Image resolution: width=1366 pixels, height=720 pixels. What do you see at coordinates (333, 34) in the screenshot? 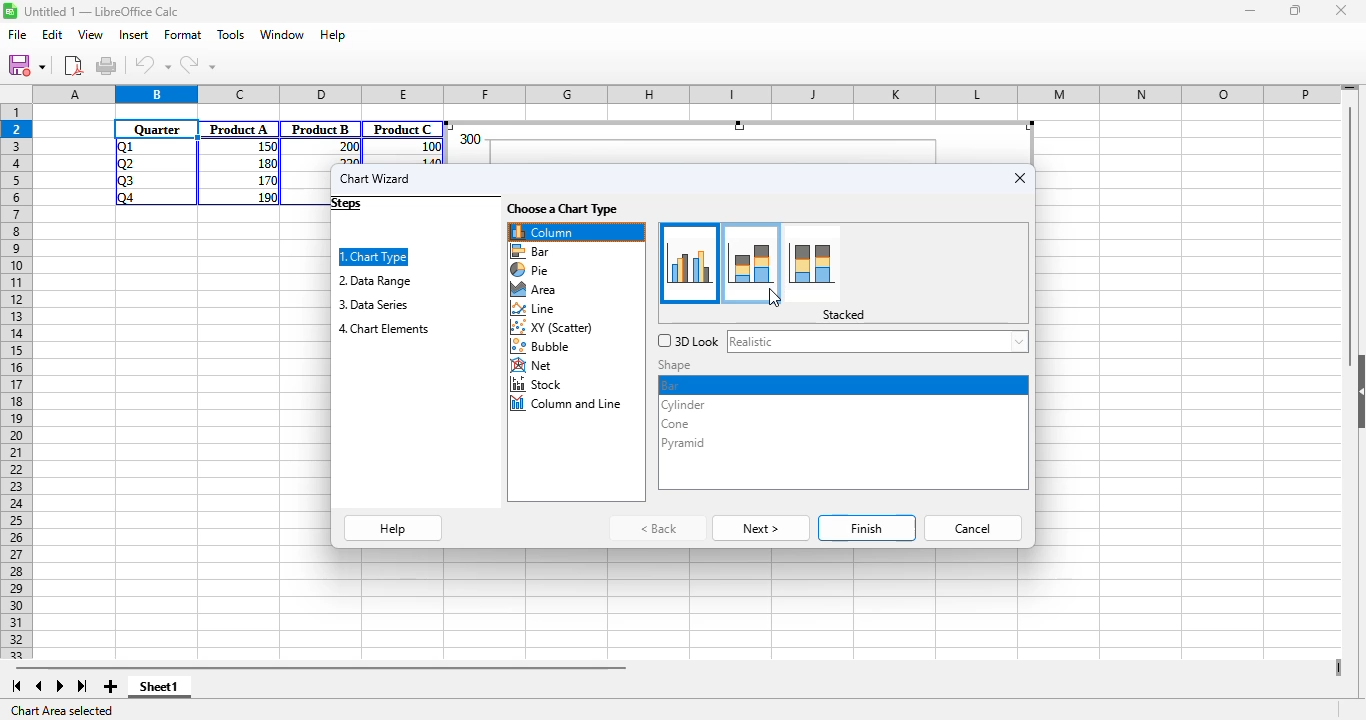
I see `help` at bounding box center [333, 34].